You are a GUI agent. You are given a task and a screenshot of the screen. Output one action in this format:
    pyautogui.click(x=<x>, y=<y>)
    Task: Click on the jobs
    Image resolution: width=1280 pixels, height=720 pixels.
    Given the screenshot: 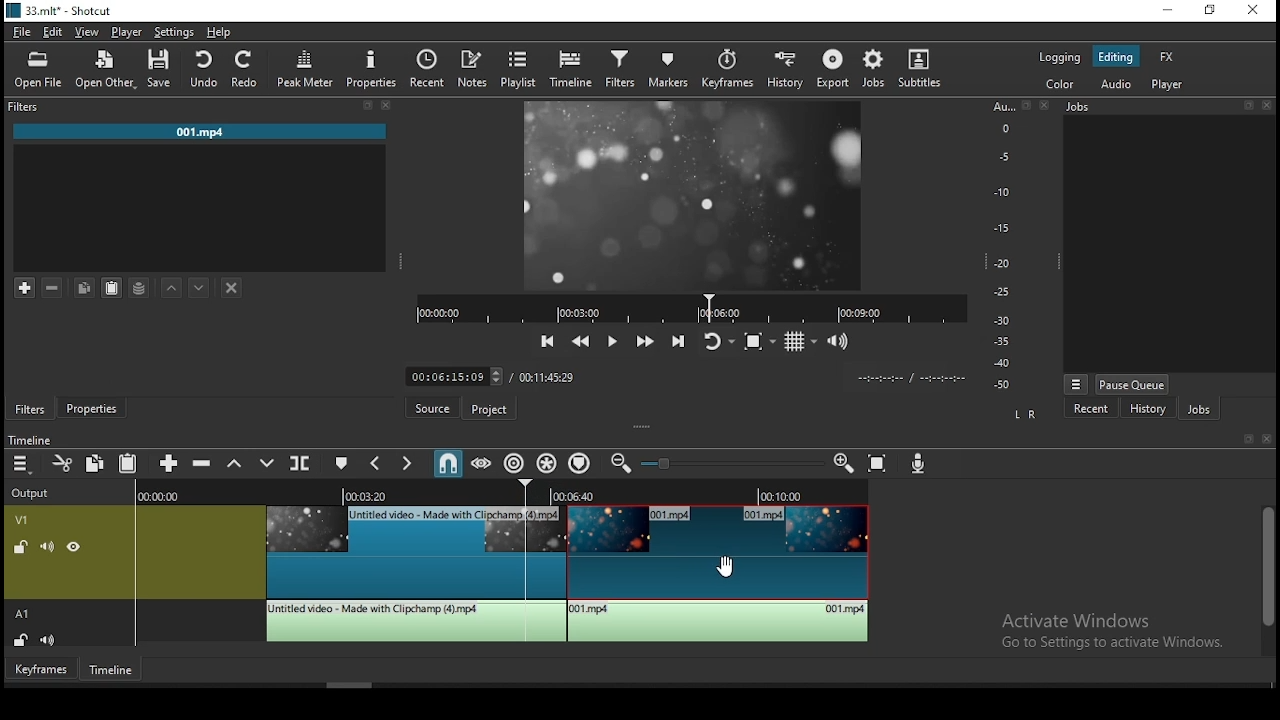 What is the action you would take?
    pyautogui.click(x=1167, y=107)
    